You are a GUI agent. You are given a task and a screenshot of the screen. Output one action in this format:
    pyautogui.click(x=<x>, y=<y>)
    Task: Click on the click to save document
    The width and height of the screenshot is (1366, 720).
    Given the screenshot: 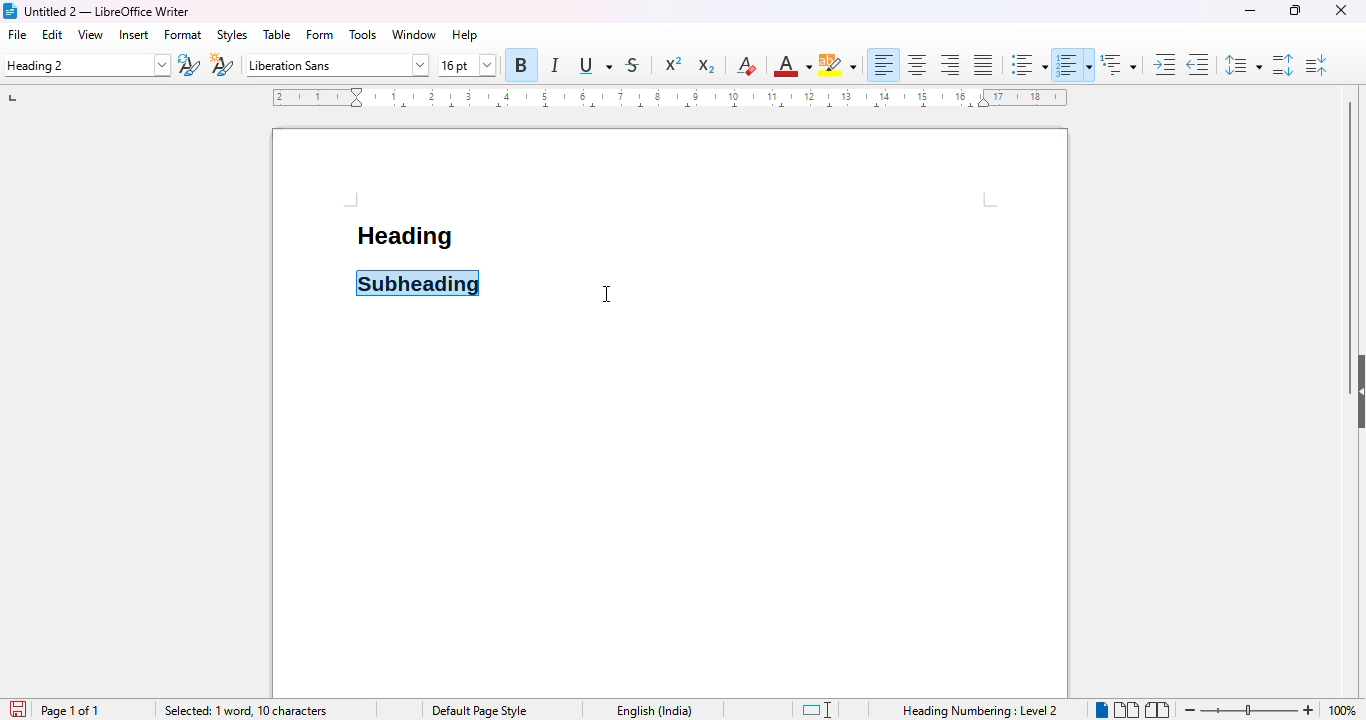 What is the action you would take?
    pyautogui.click(x=21, y=711)
    